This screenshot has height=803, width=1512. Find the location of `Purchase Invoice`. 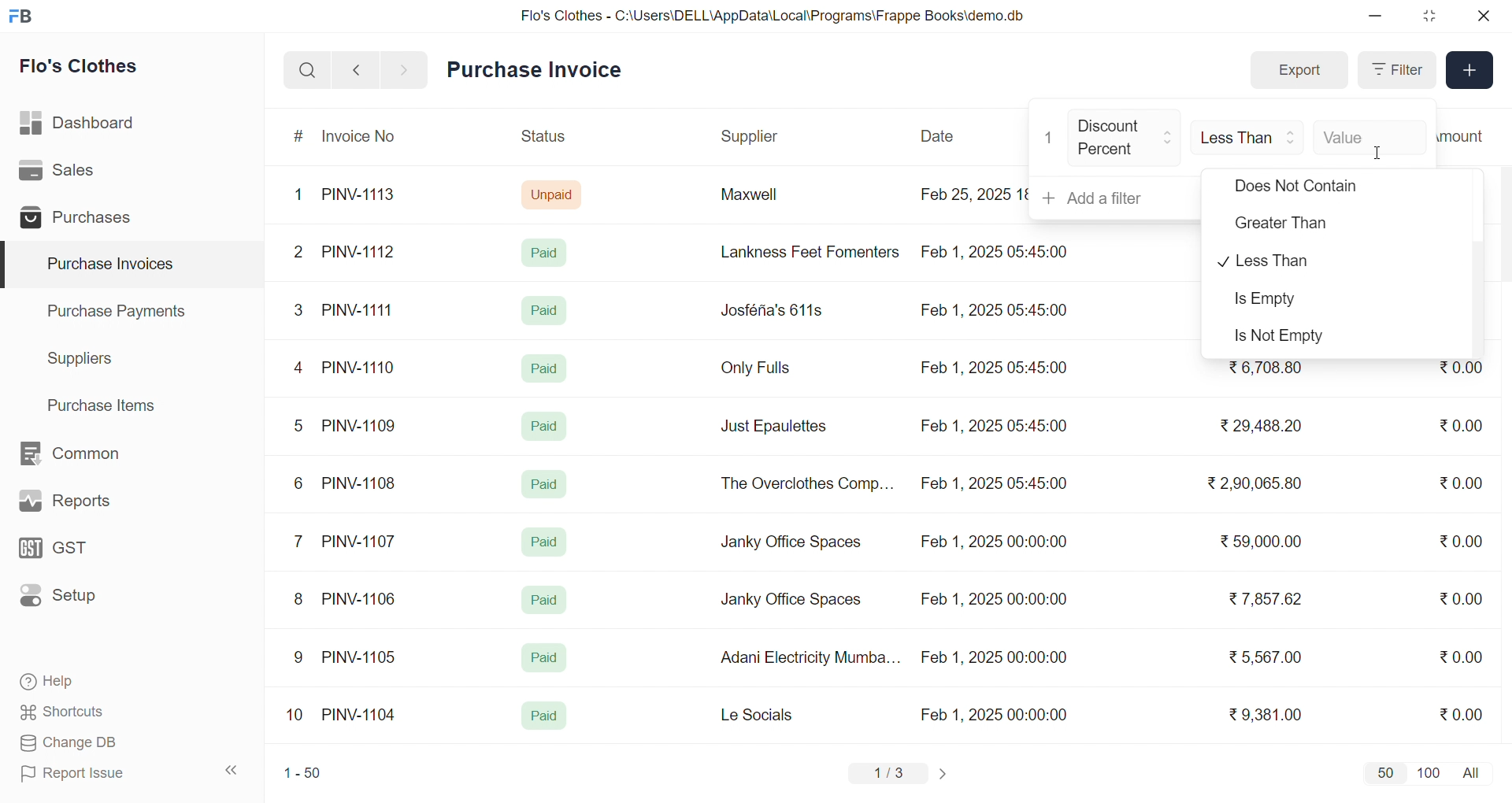

Purchase Invoice is located at coordinates (539, 70).